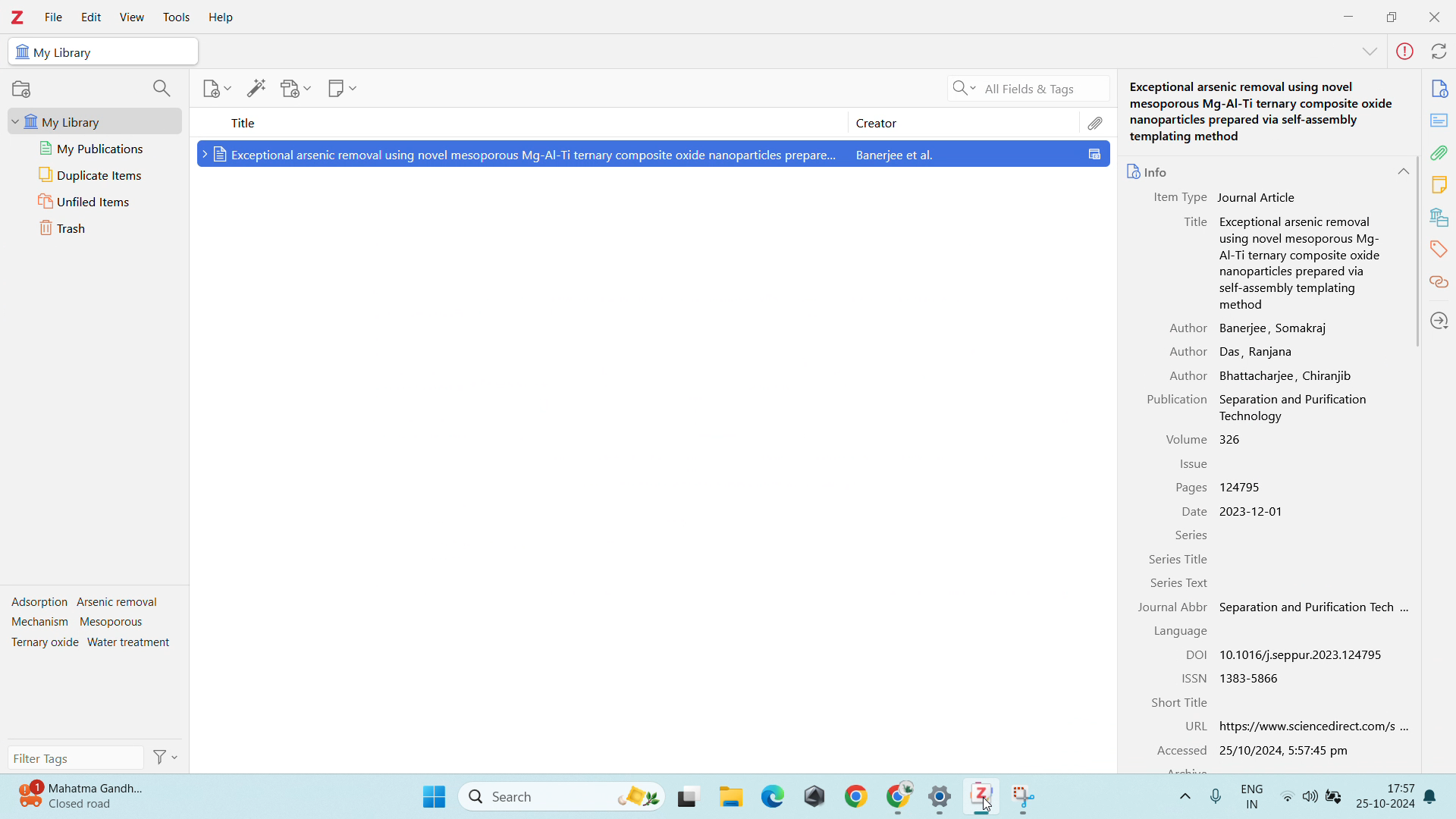 Image resolution: width=1456 pixels, height=819 pixels. Describe the element at coordinates (1147, 168) in the screenshot. I see `info` at that location.